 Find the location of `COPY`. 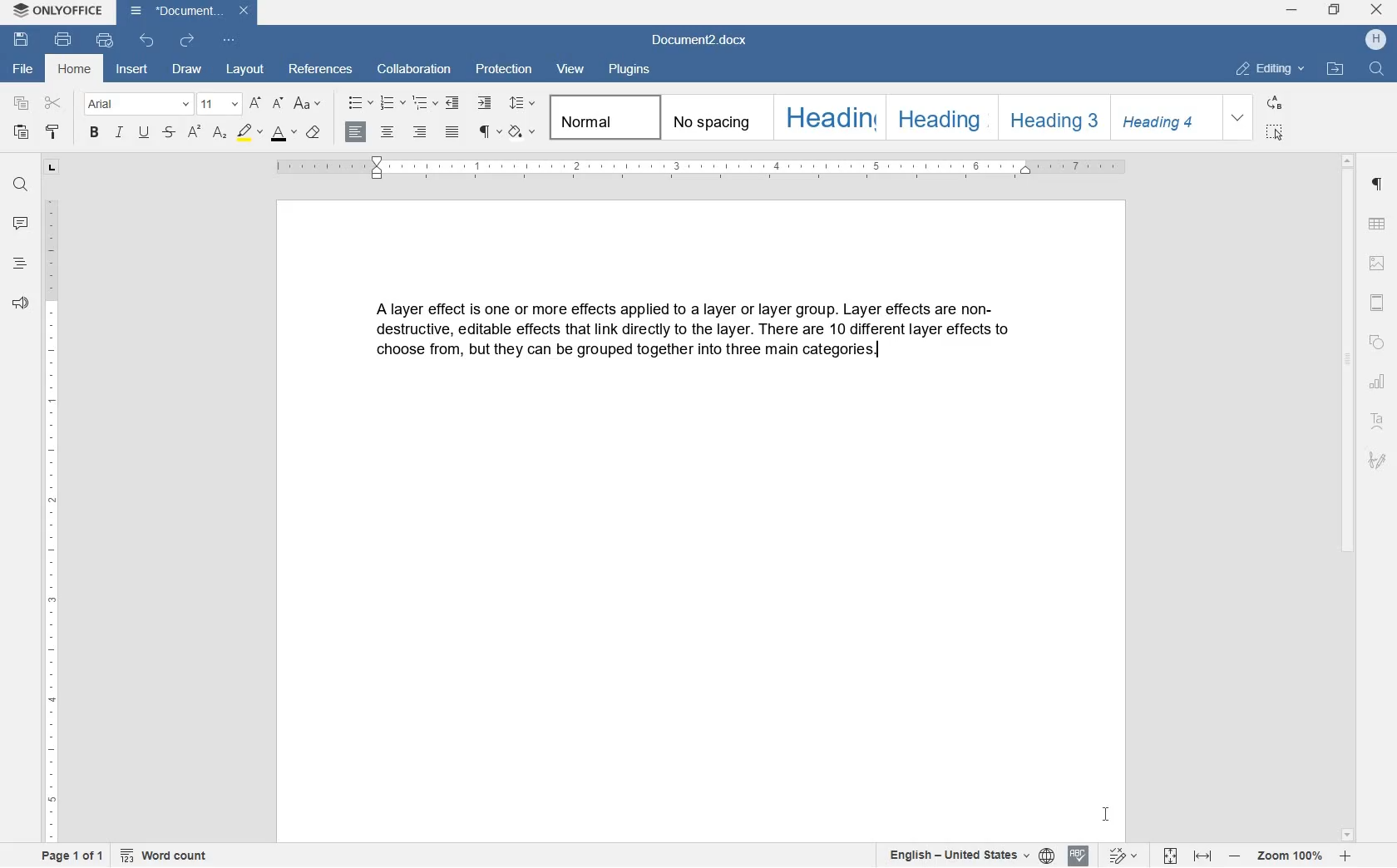

COPY is located at coordinates (21, 104).